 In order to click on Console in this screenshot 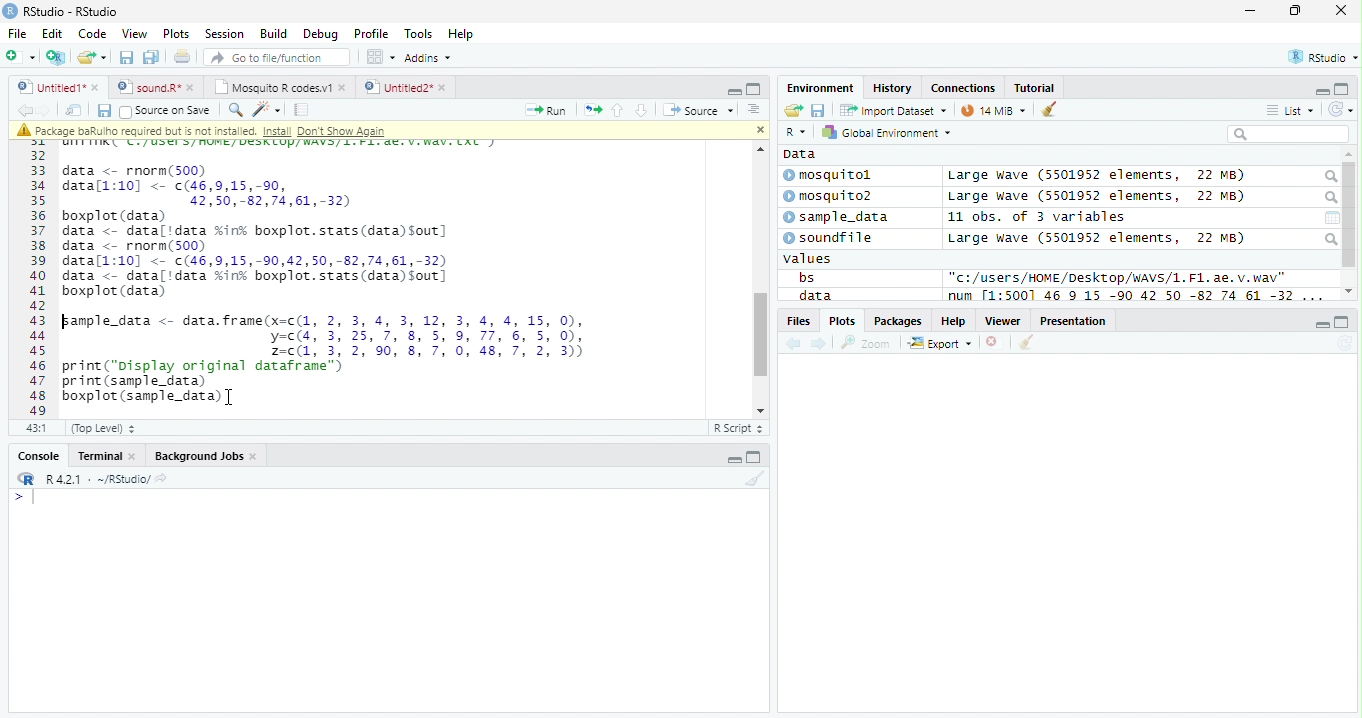, I will do `click(35, 455)`.